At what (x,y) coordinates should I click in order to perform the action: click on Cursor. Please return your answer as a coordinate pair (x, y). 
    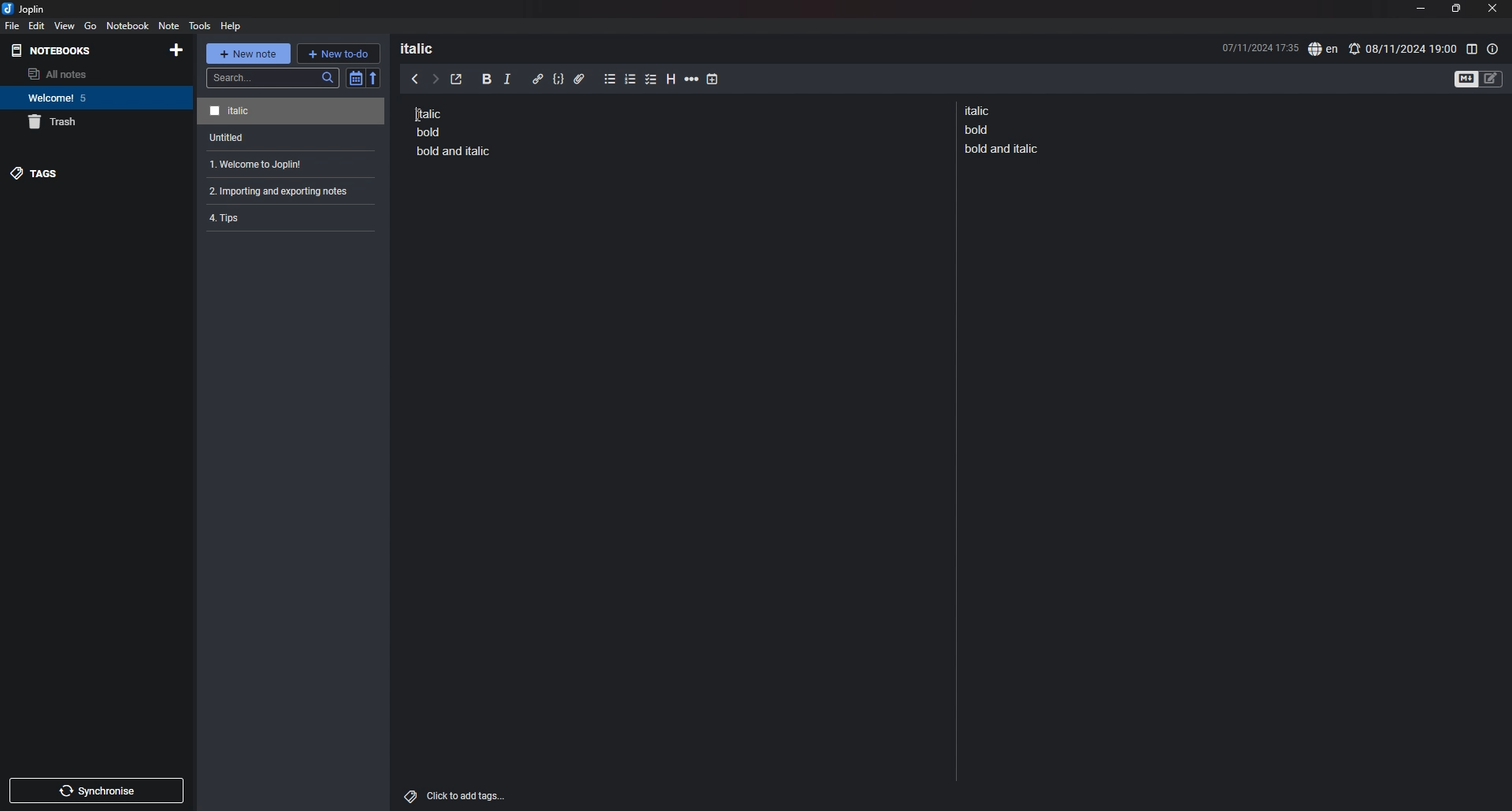
    Looking at the image, I should click on (415, 114).